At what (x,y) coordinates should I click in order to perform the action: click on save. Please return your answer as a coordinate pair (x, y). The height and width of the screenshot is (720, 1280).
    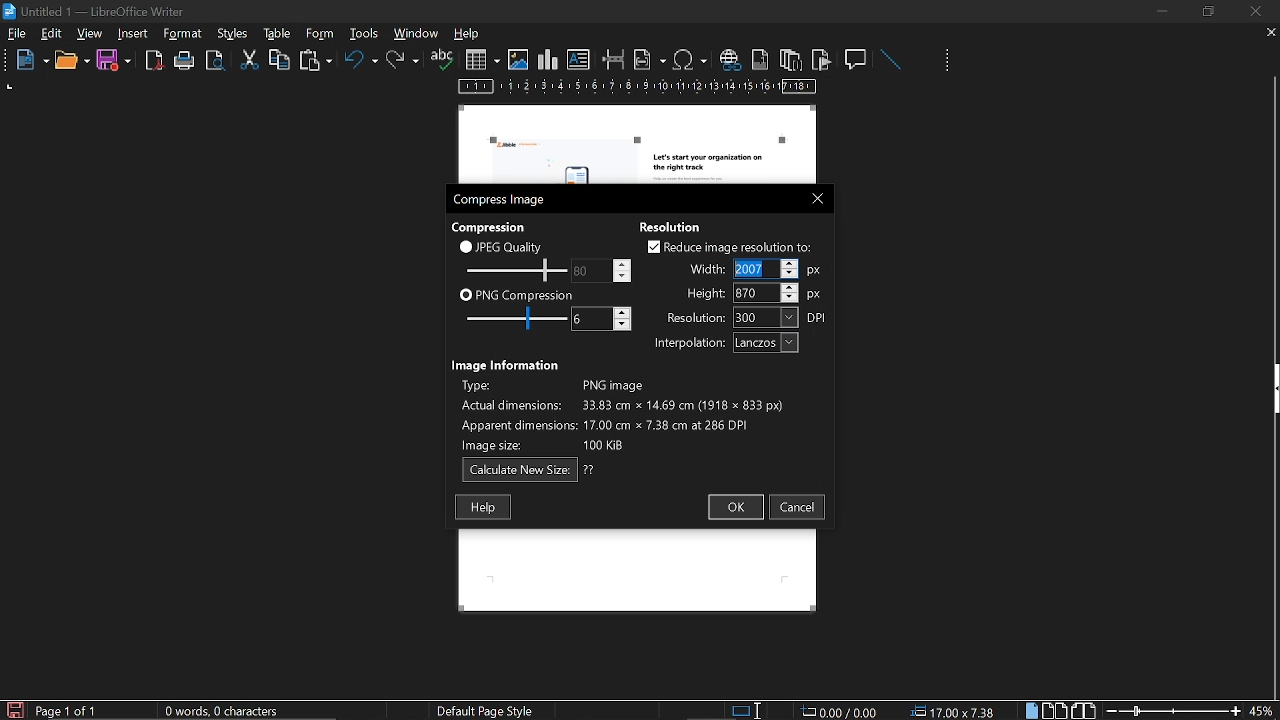
    Looking at the image, I should click on (114, 61).